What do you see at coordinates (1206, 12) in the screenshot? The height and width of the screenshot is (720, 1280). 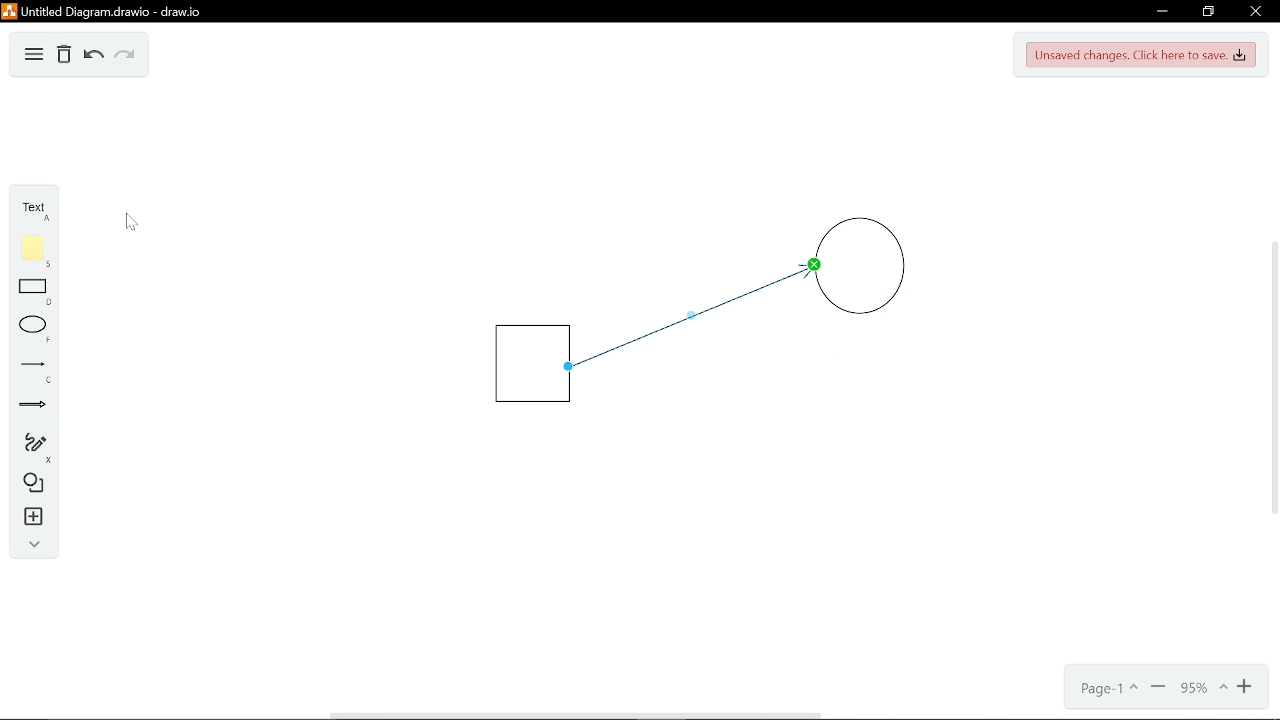 I see `restore down` at bounding box center [1206, 12].